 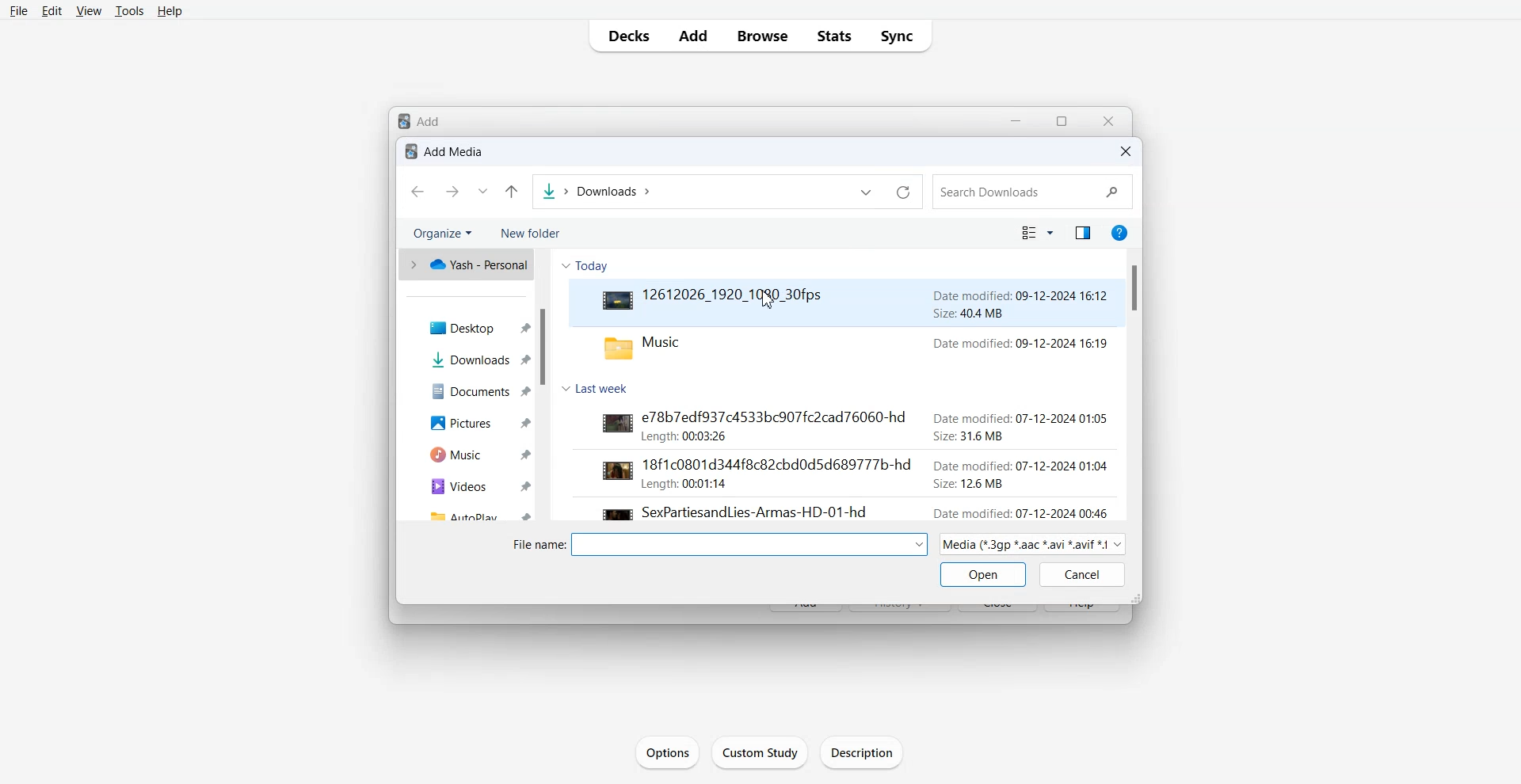 What do you see at coordinates (473, 457) in the screenshot?
I see `Music` at bounding box center [473, 457].